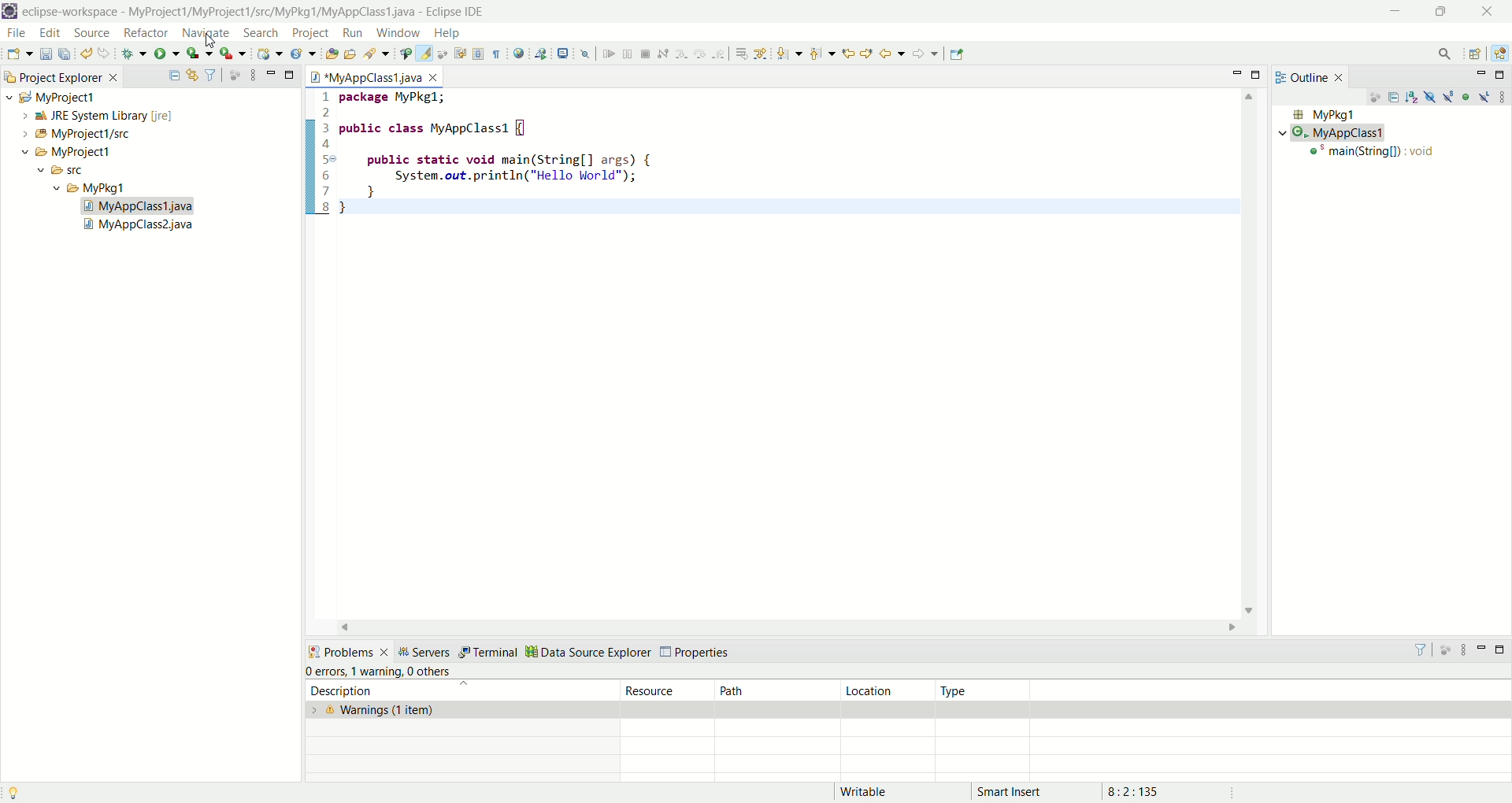  Describe the element at coordinates (374, 54) in the screenshot. I see `search` at that location.